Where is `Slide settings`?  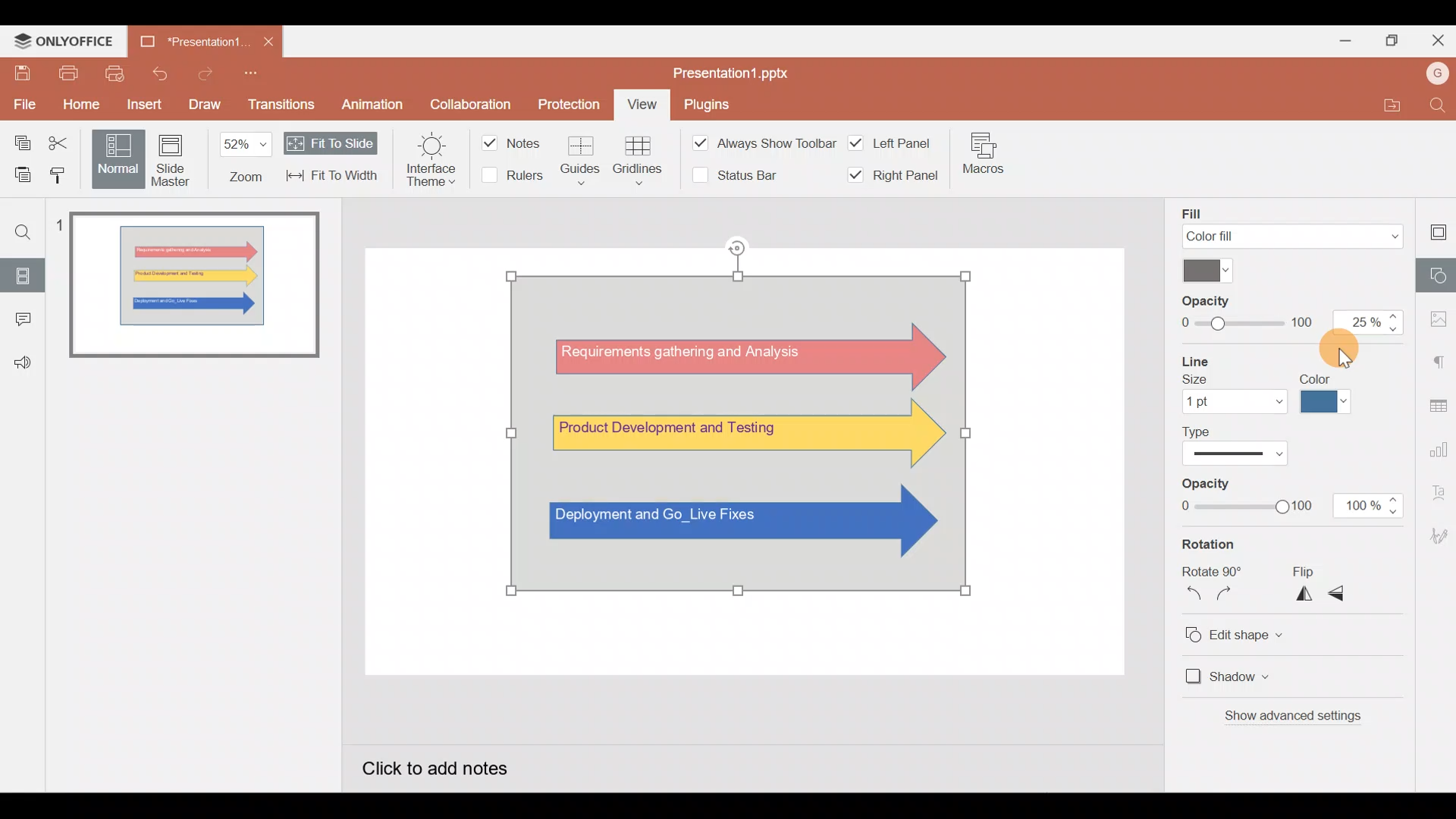
Slide settings is located at coordinates (1434, 231).